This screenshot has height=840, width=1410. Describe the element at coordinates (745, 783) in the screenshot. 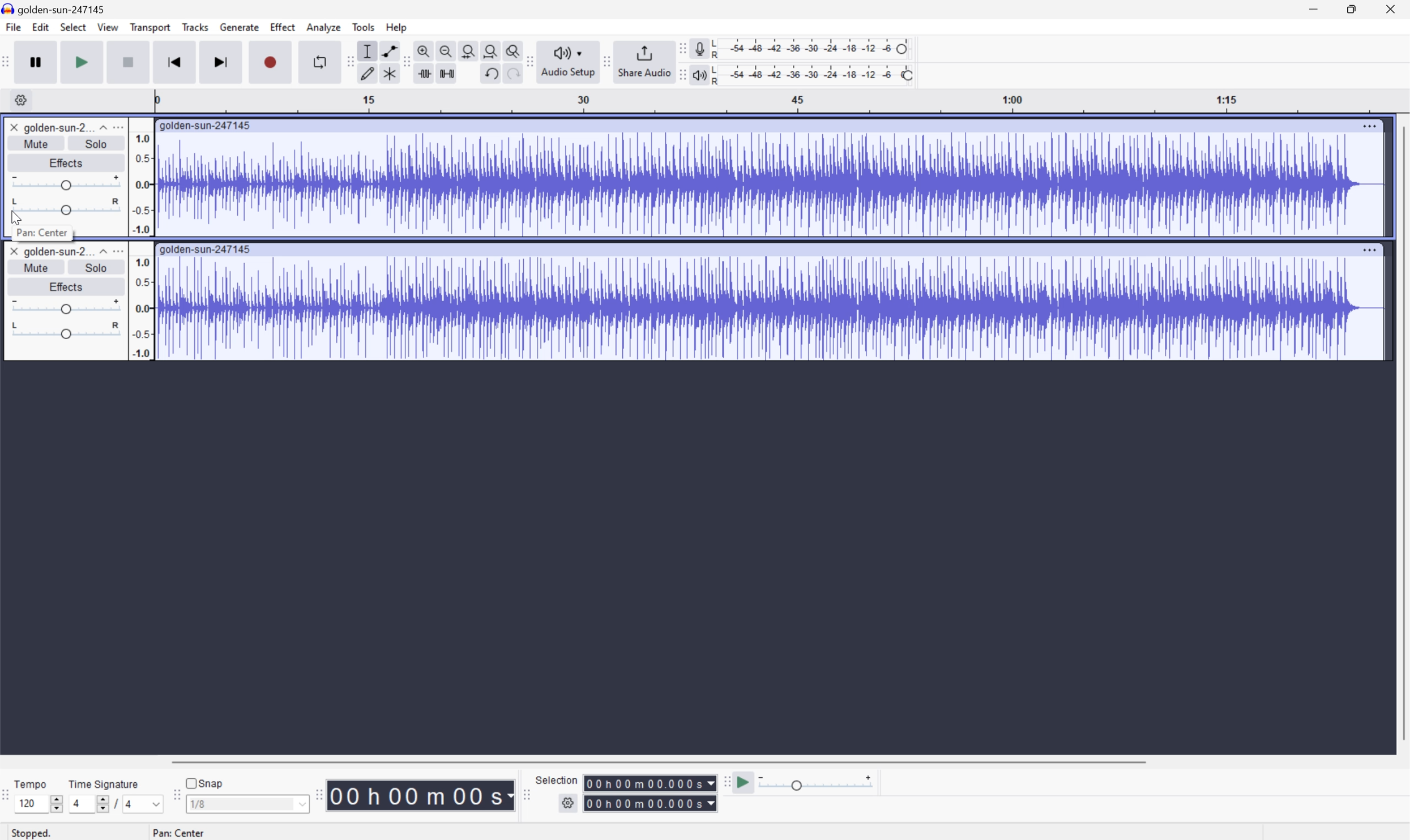

I see `Play at speed` at that location.